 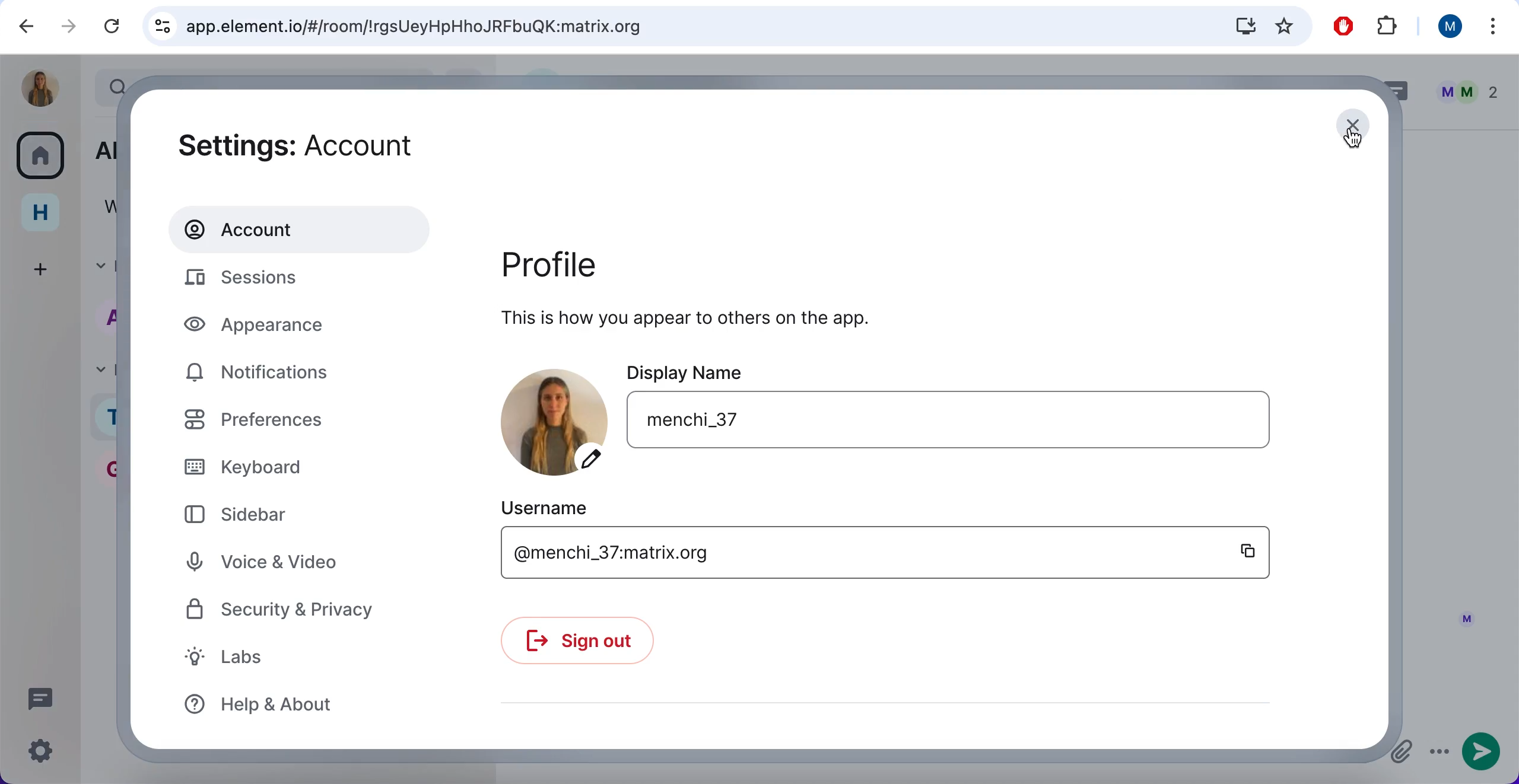 I want to click on sign out, so click(x=592, y=647).